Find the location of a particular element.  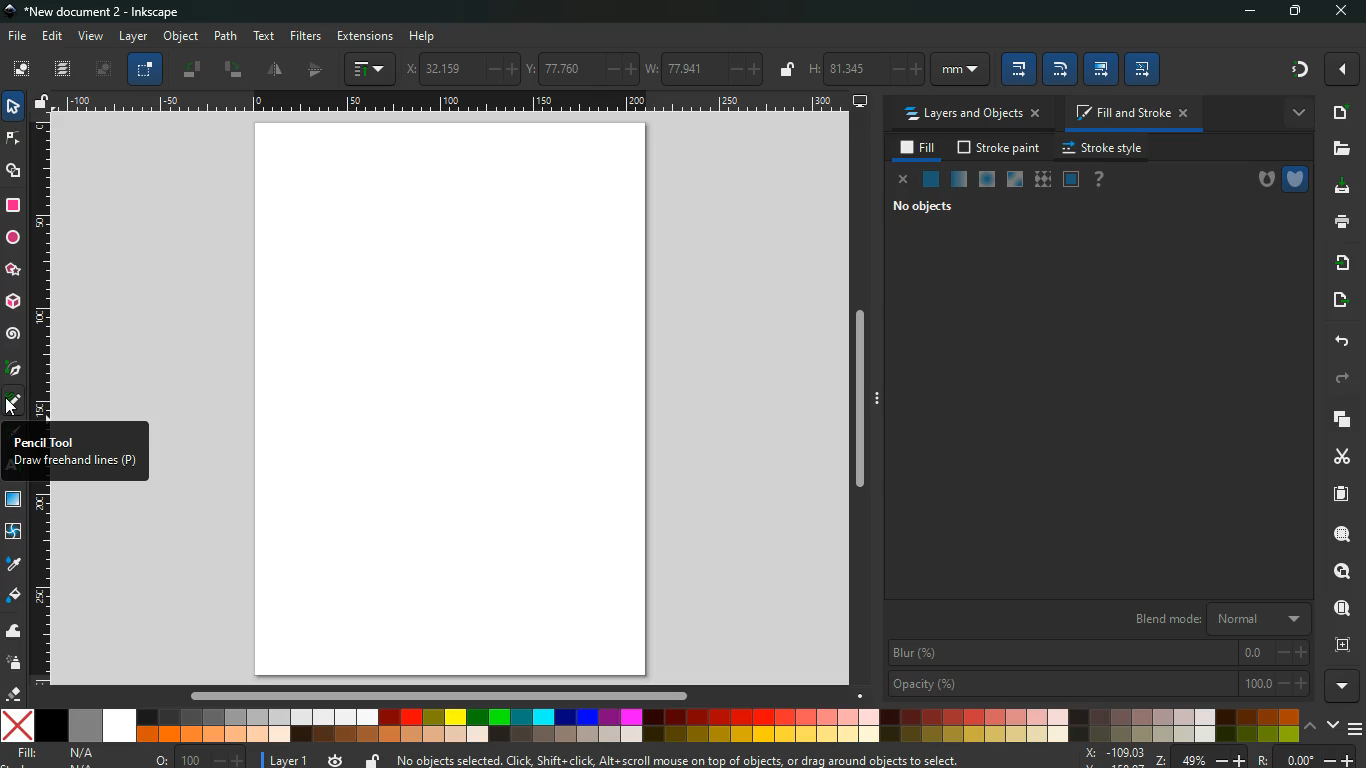

layer 1 is located at coordinates (291, 759).